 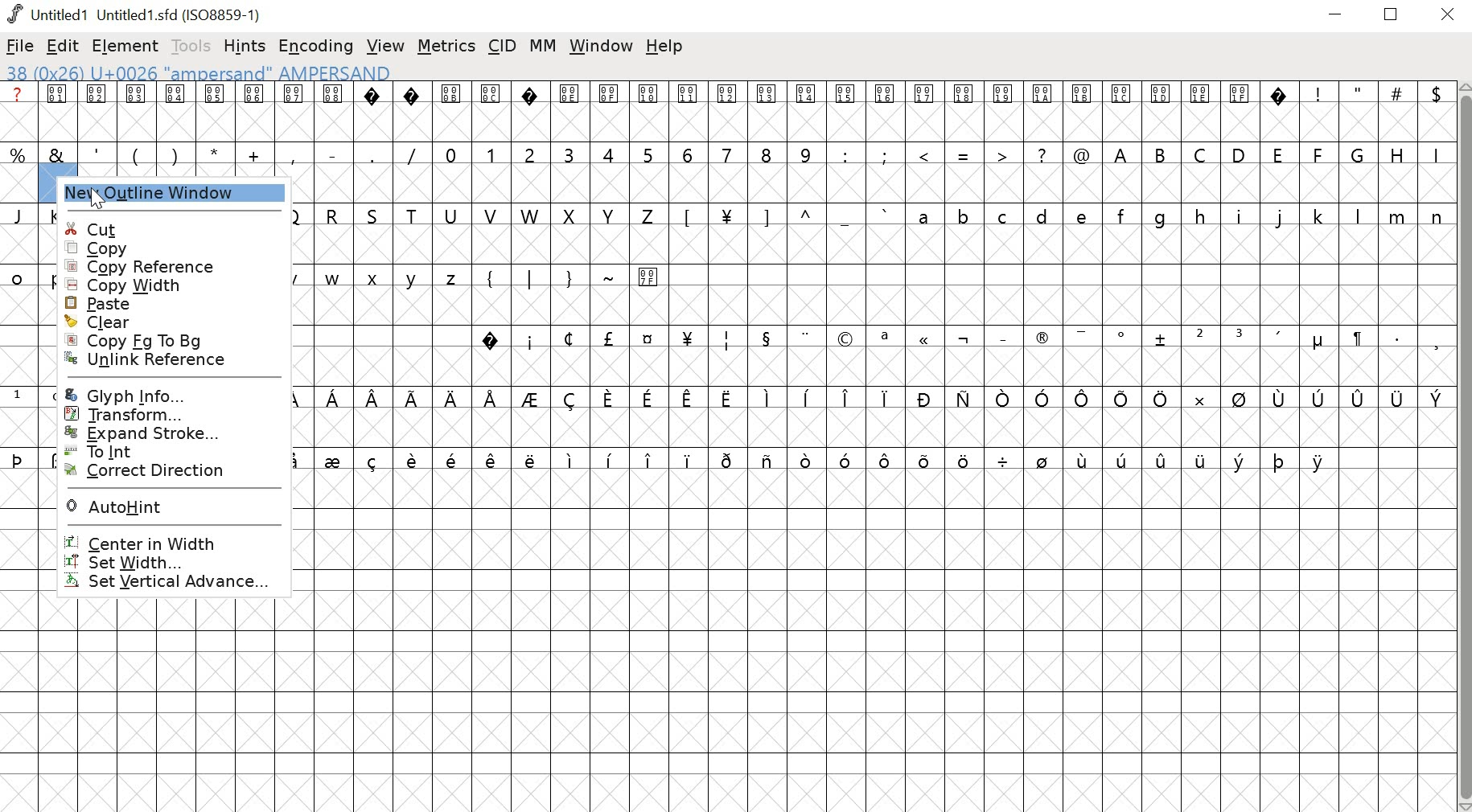 I want to click on symbol, so click(x=847, y=461).